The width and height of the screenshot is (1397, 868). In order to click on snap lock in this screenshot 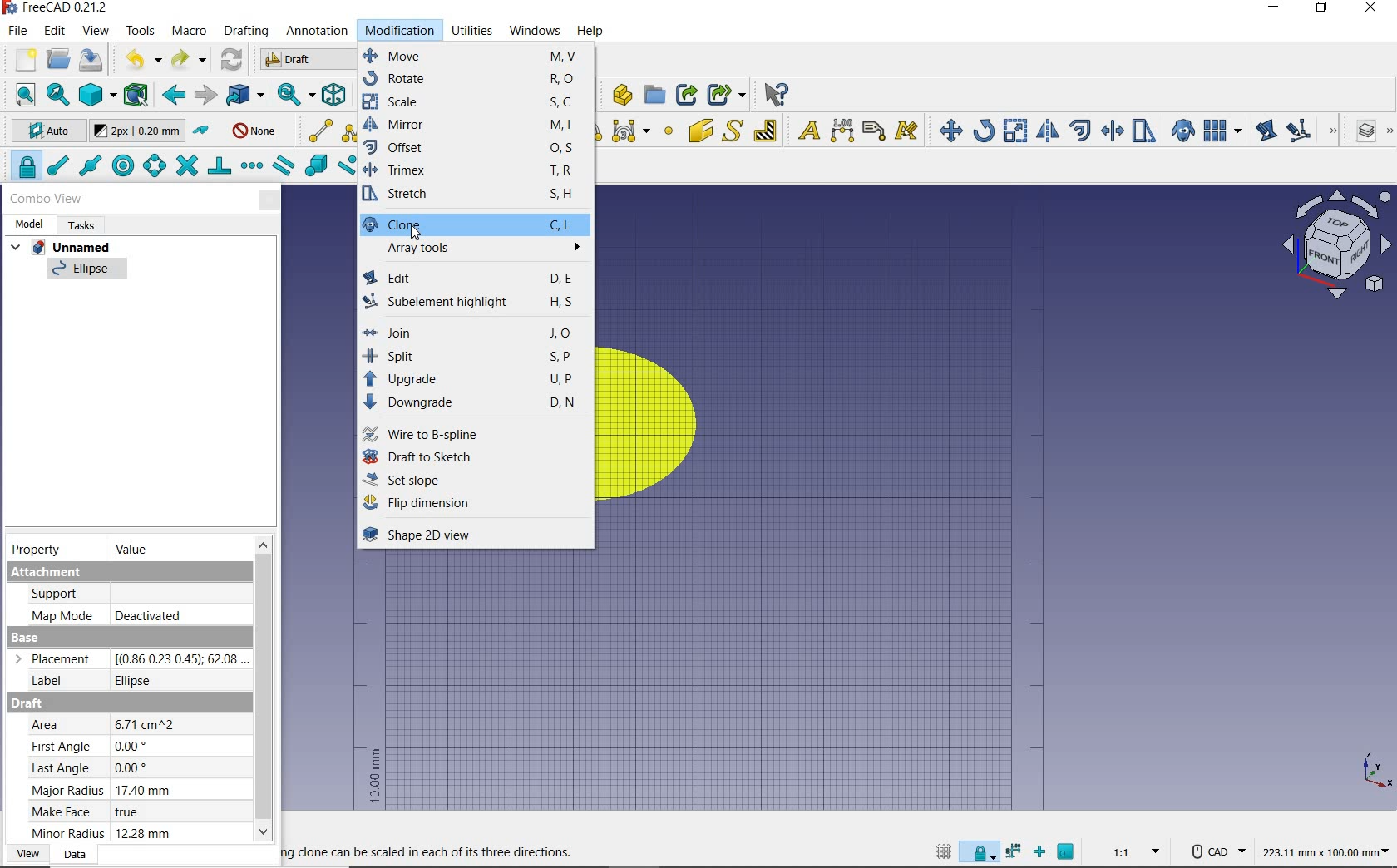, I will do `click(23, 167)`.